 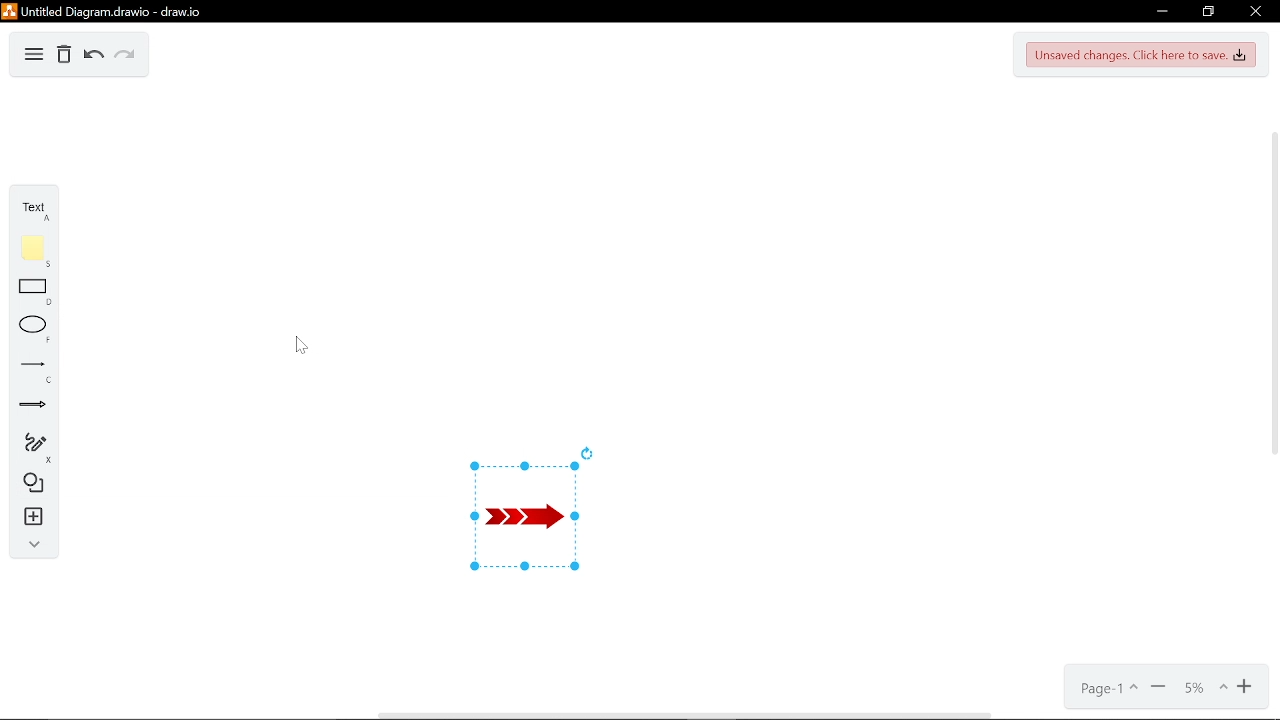 What do you see at coordinates (28, 208) in the screenshot?
I see `Text` at bounding box center [28, 208].